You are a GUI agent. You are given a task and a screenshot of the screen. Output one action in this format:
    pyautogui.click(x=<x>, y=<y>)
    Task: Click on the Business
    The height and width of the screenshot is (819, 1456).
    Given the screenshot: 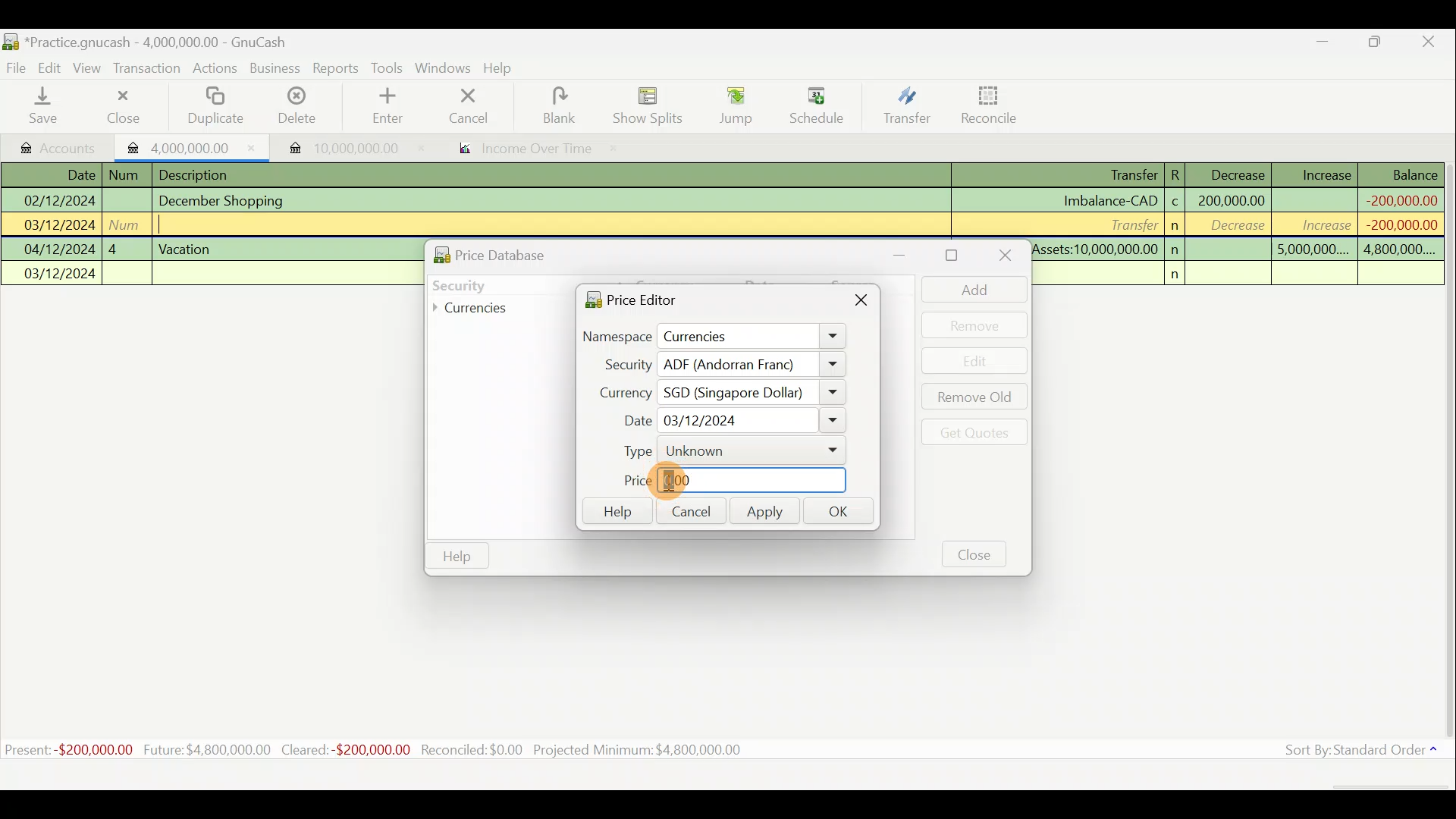 What is the action you would take?
    pyautogui.click(x=276, y=68)
    